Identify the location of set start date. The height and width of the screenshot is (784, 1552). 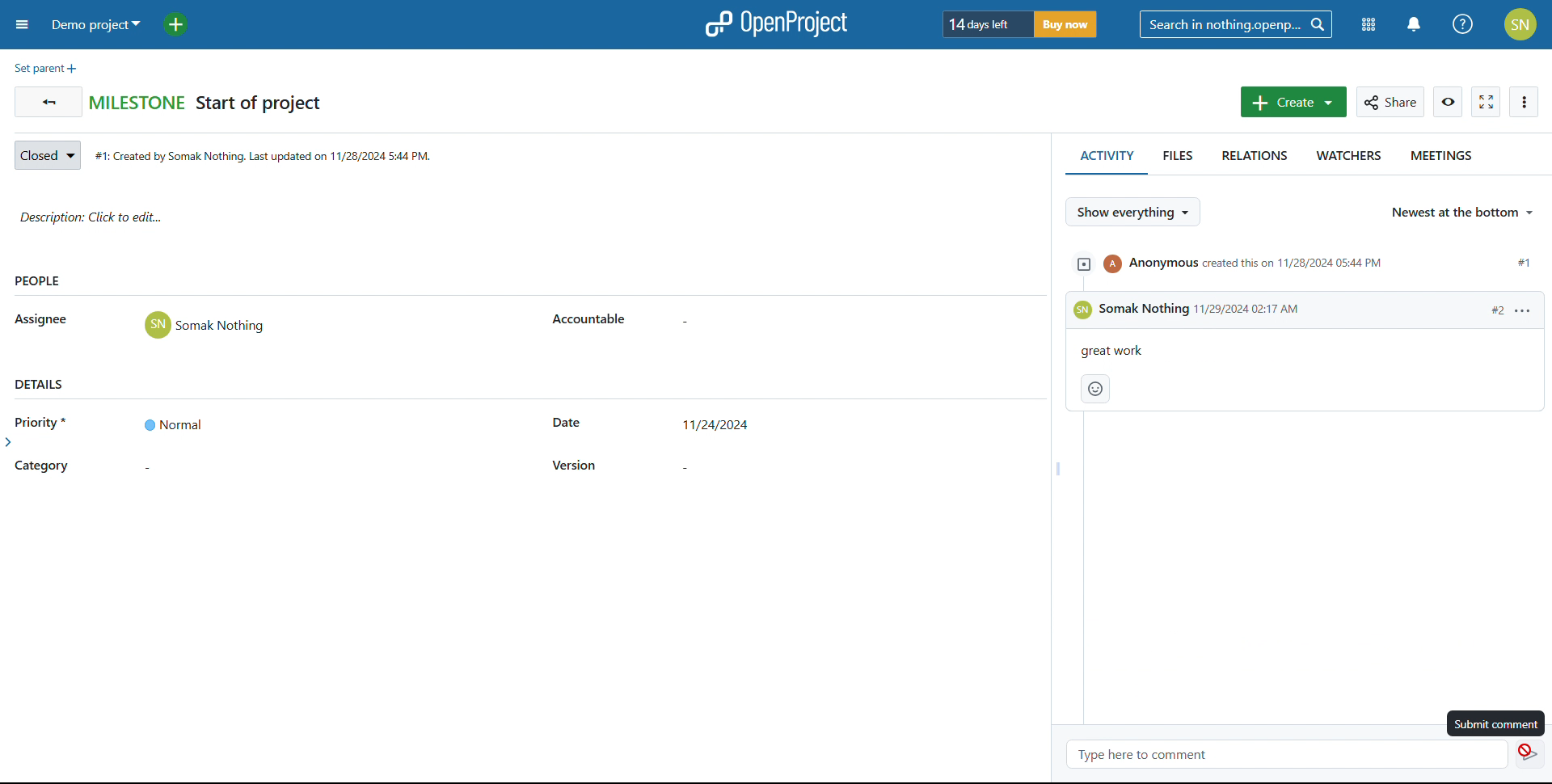
(719, 427).